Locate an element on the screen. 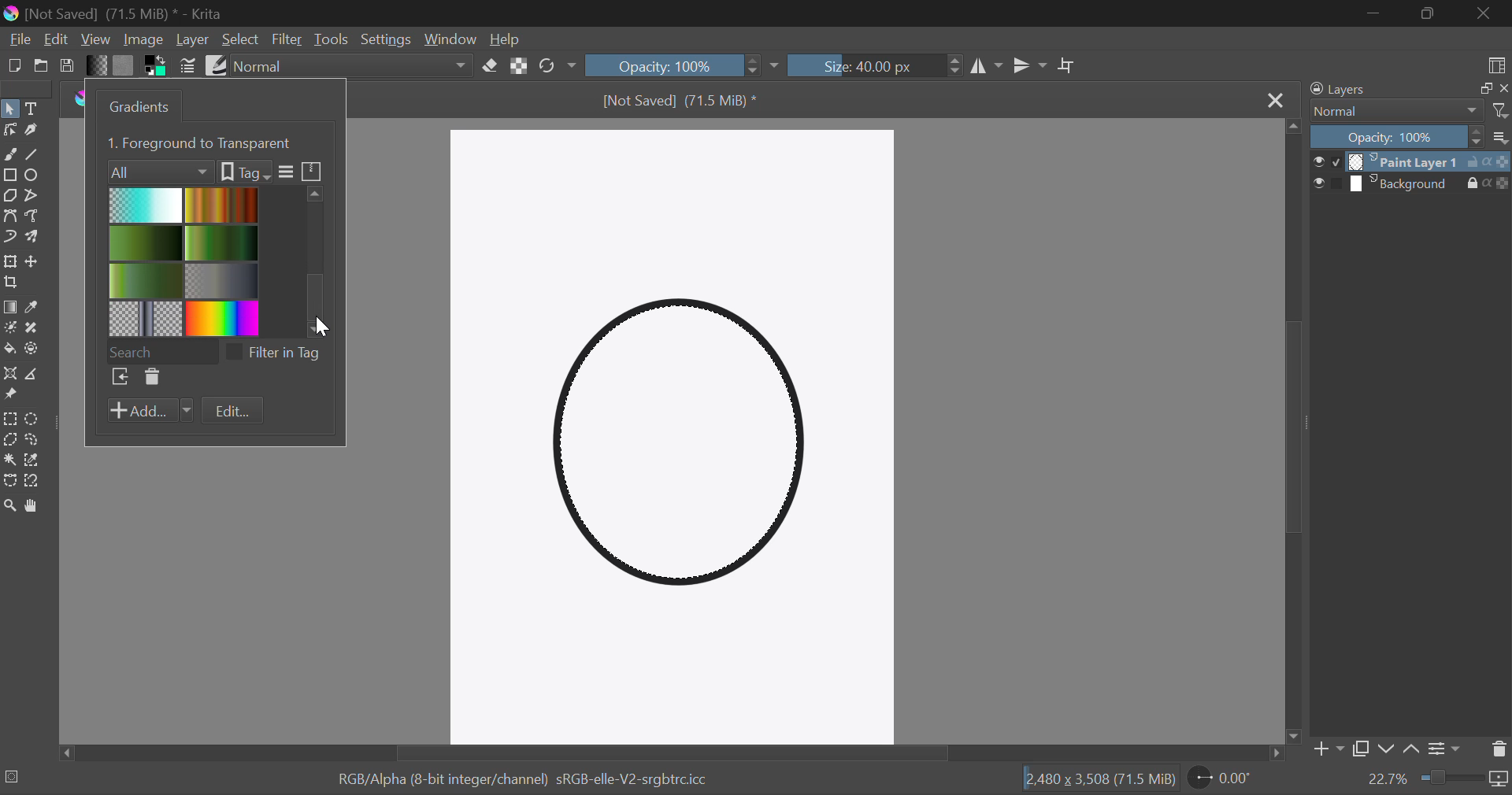 The image size is (1512, 795). Copy Layer is located at coordinates (1362, 749).